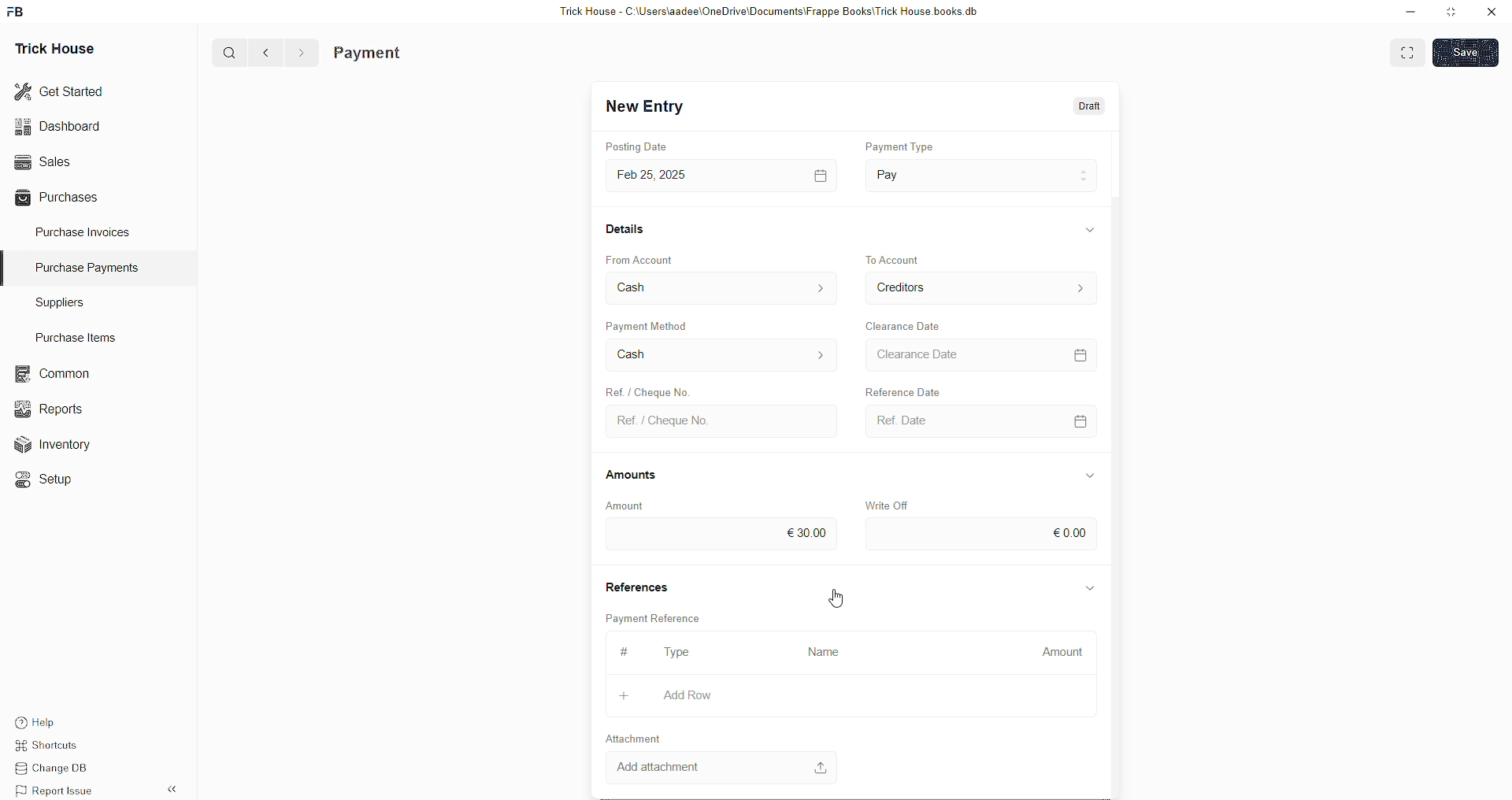  Describe the element at coordinates (59, 791) in the screenshot. I see `Report Issue` at that location.